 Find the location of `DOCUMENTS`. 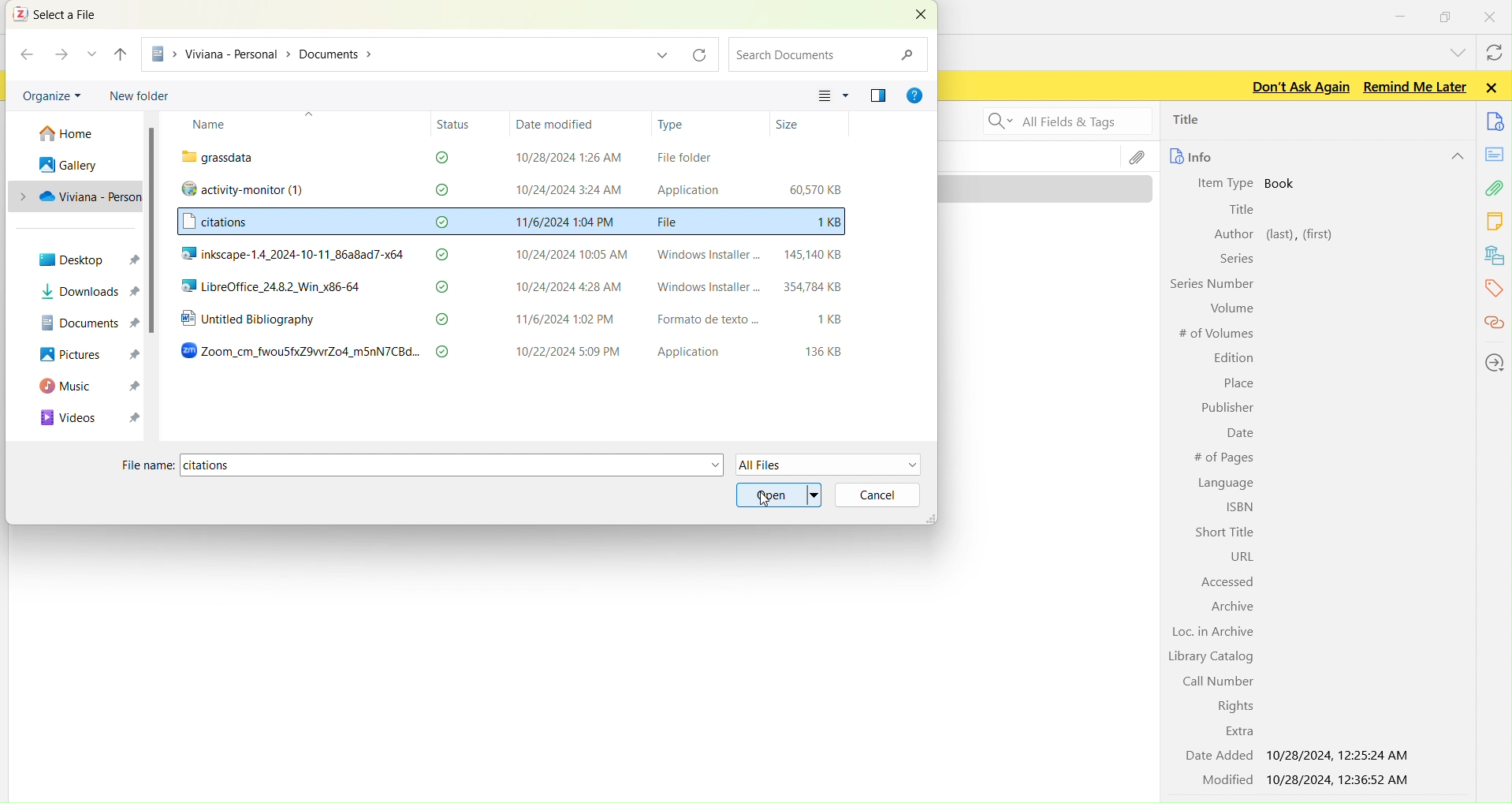

DOCUMENTS is located at coordinates (76, 322).